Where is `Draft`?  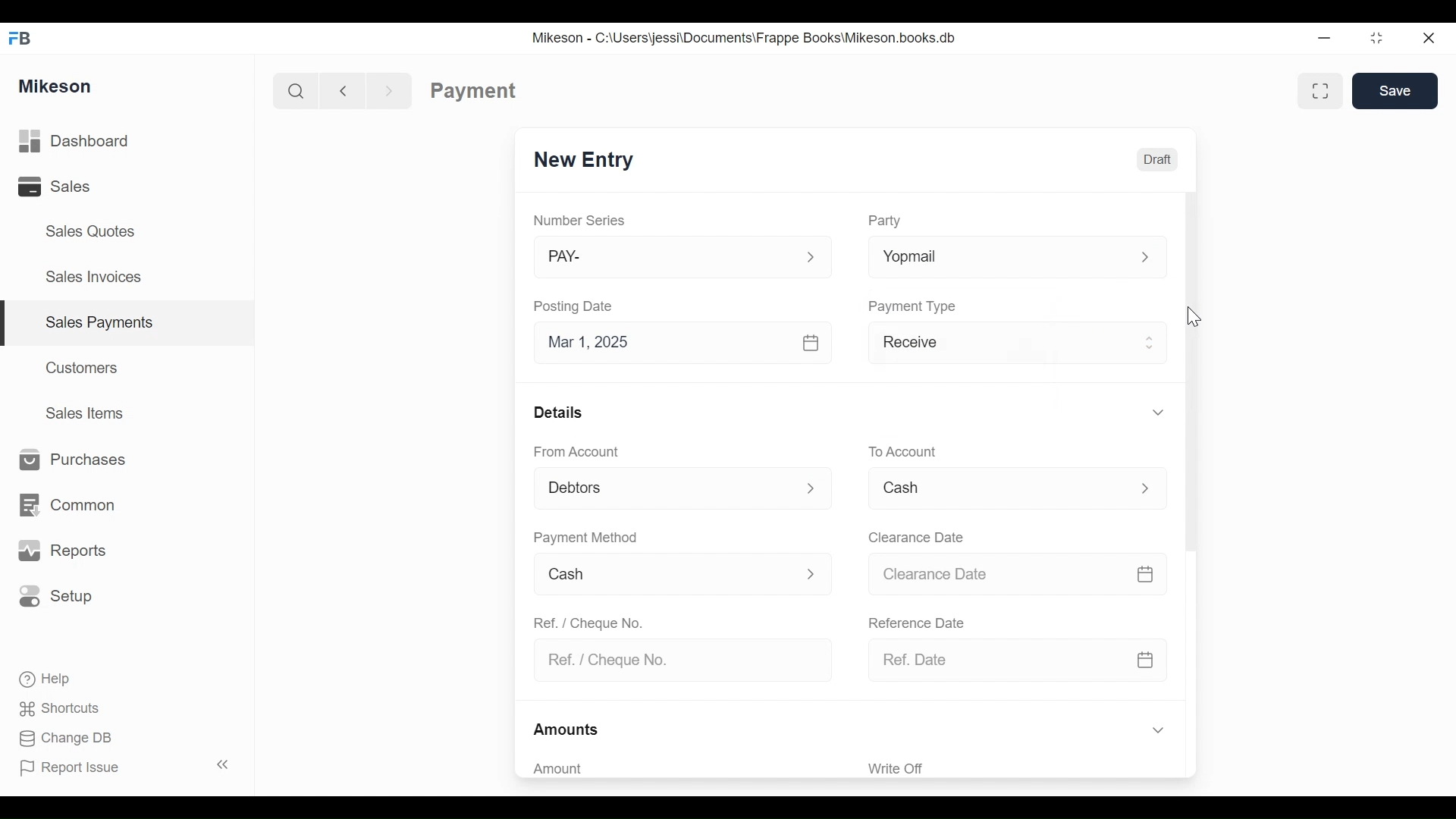 Draft is located at coordinates (1159, 159).